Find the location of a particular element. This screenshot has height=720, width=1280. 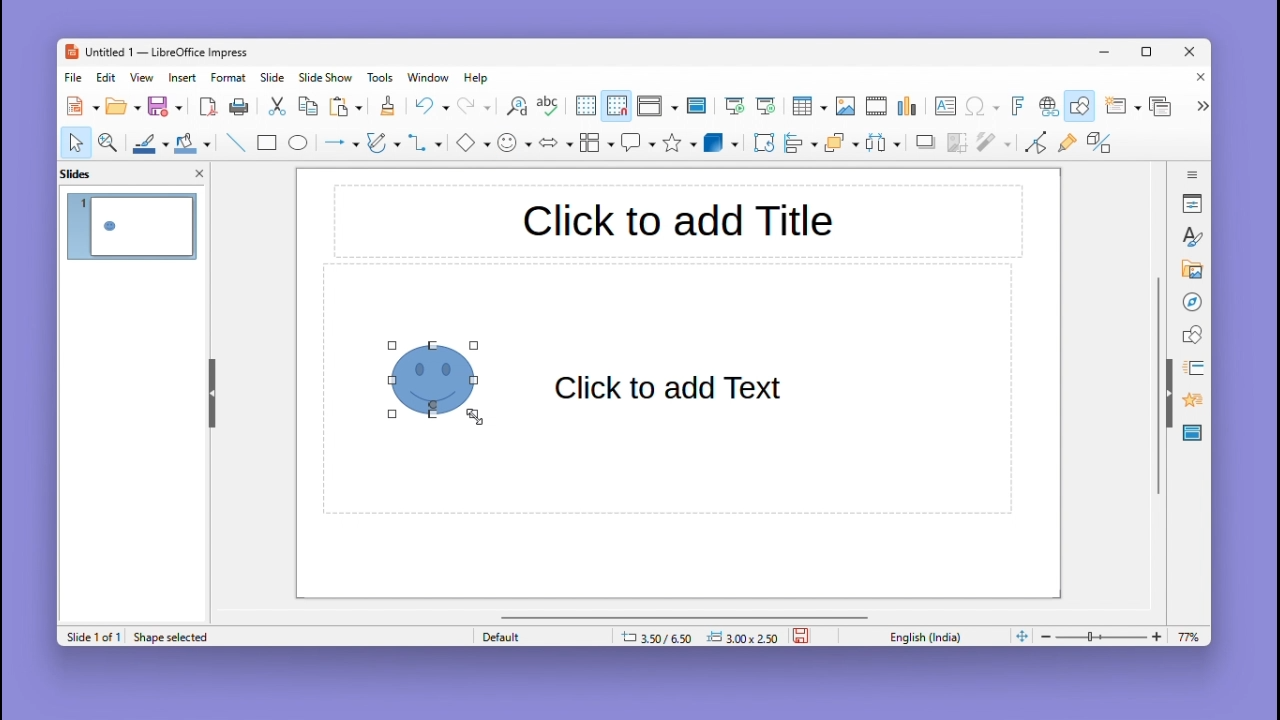

Shape selected is located at coordinates (175, 636).